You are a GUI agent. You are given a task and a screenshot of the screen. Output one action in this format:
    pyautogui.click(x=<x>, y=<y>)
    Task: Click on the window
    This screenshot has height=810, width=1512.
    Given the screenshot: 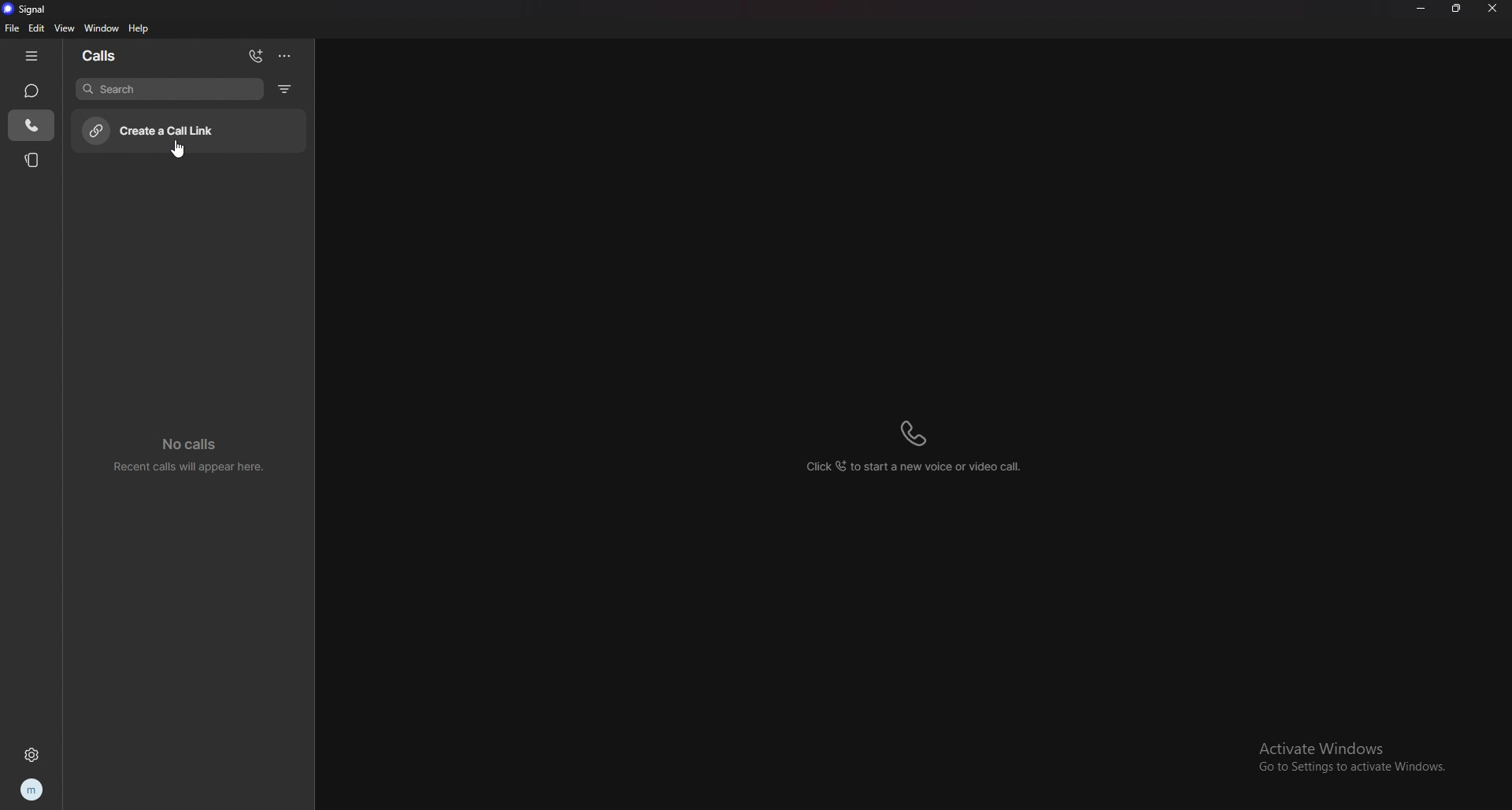 What is the action you would take?
    pyautogui.click(x=105, y=28)
    